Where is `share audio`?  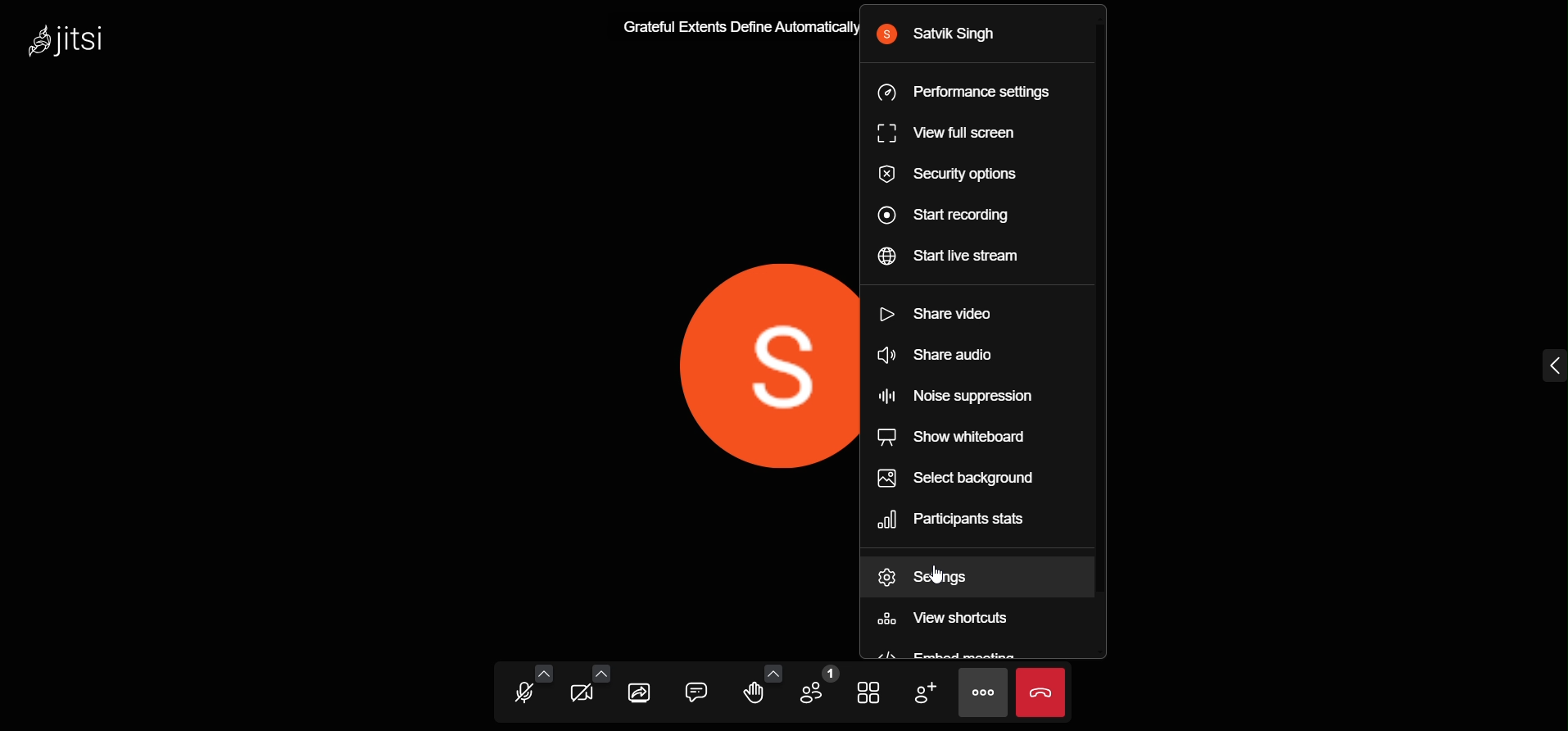 share audio is located at coordinates (944, 355).